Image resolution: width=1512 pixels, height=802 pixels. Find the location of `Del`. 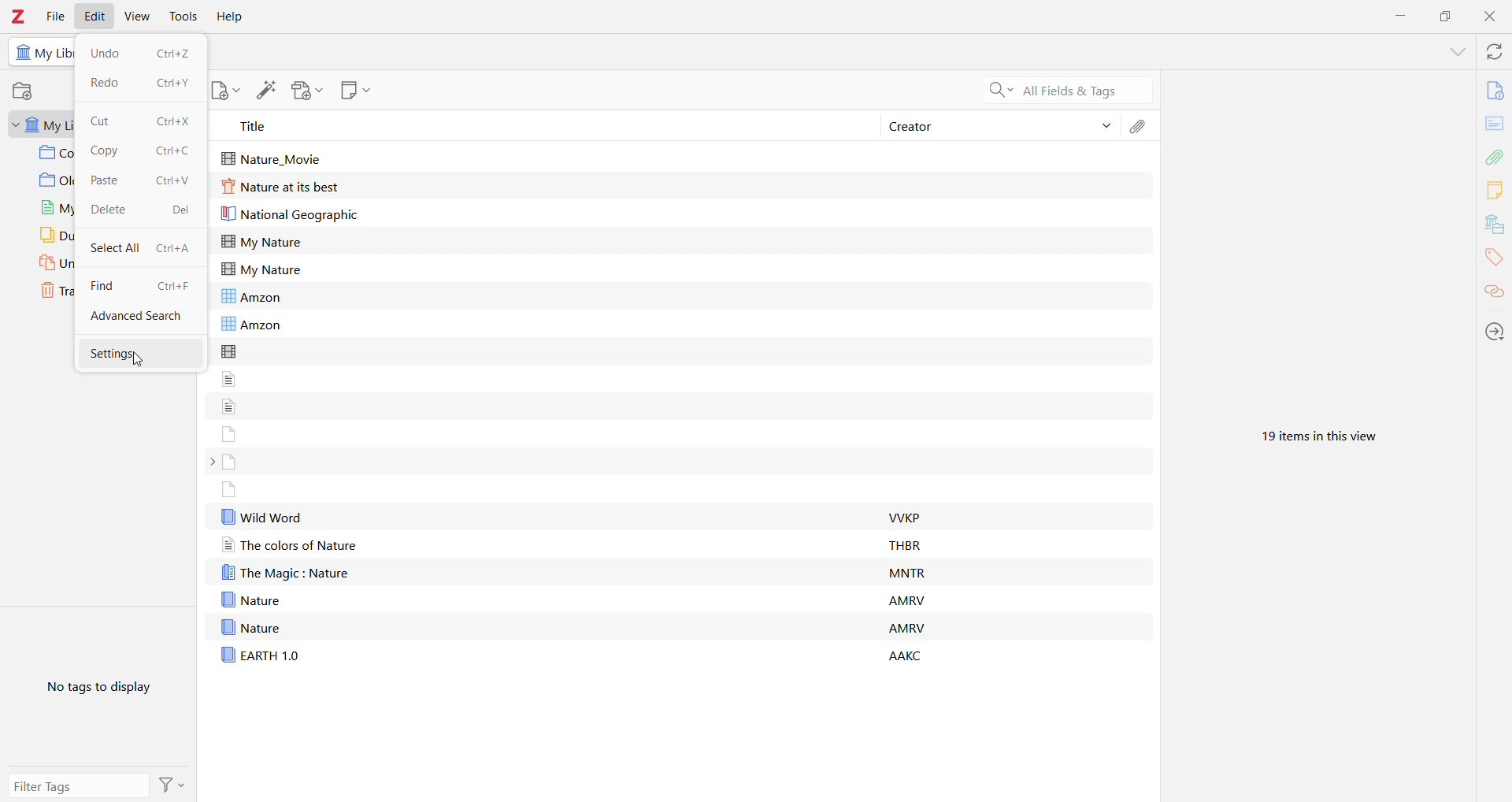

Del is located at coordinates (181, 210).